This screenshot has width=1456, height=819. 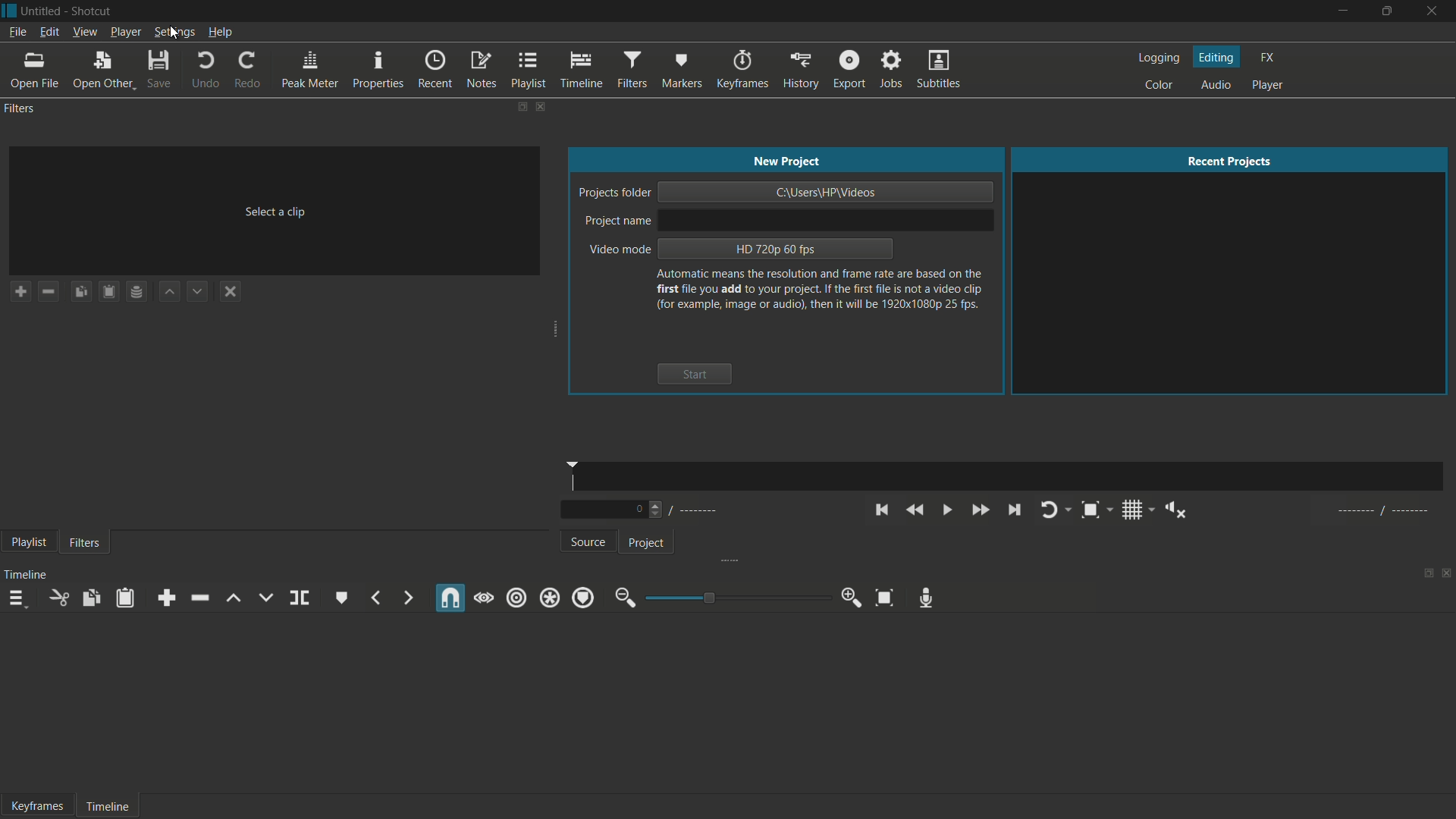 What do you see at coordinates (775, 249) in the screenshot?
I see `hd 720p 60 fps` at bounding box center [775, 249].